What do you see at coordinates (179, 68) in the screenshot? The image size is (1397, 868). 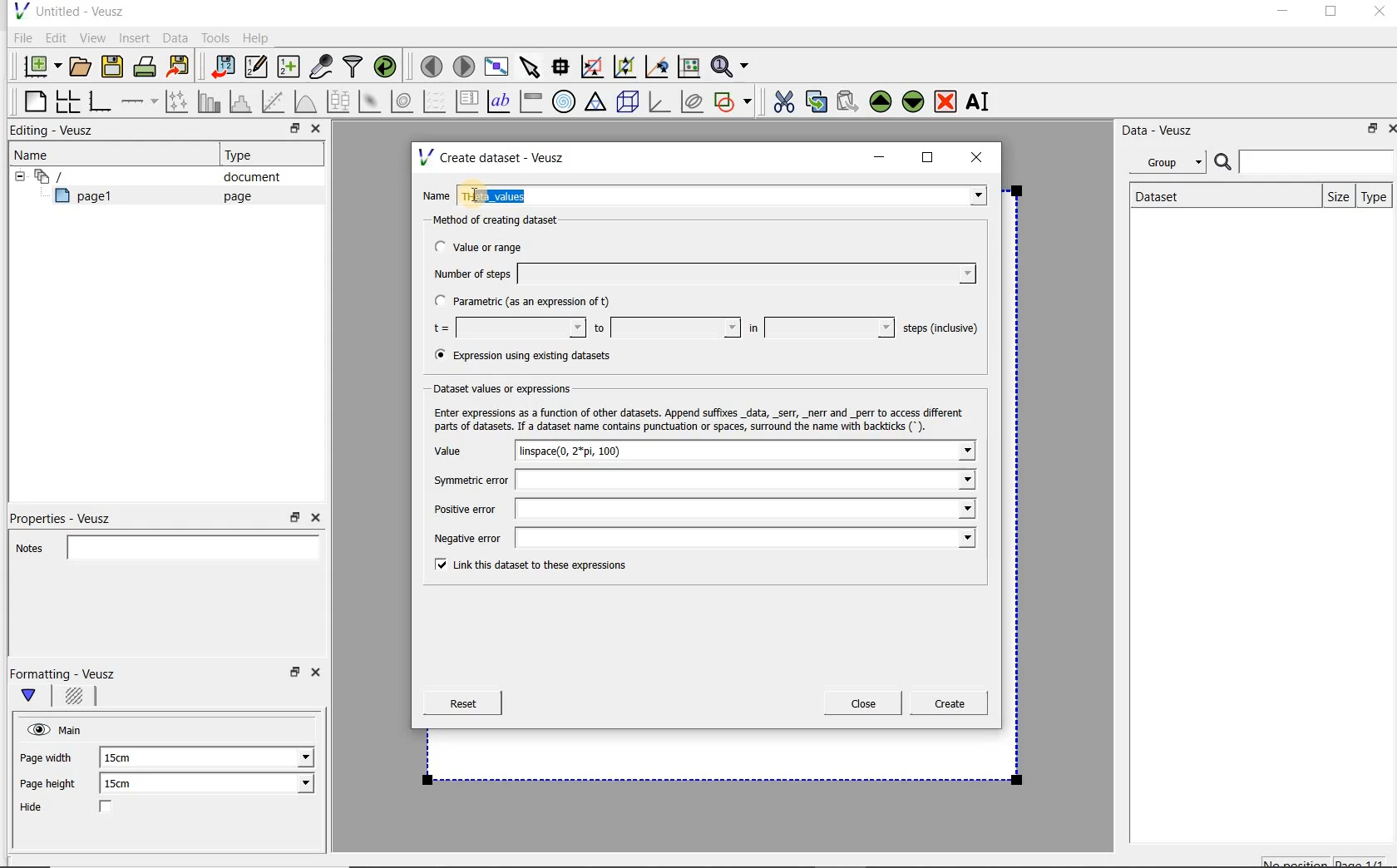 I see `Export to graphics format` at bounding box center [179, 68].